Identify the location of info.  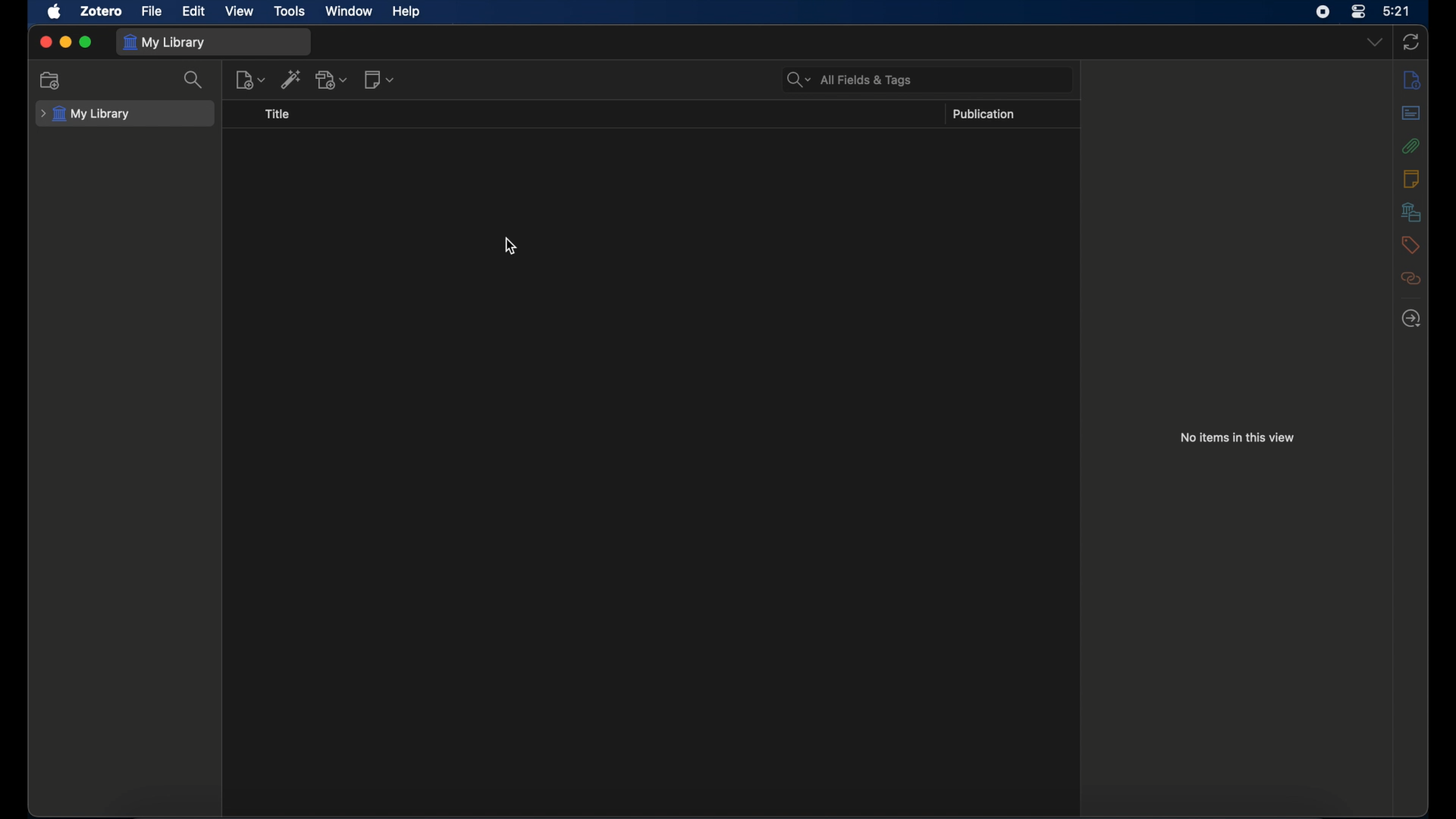
(1411, 79).